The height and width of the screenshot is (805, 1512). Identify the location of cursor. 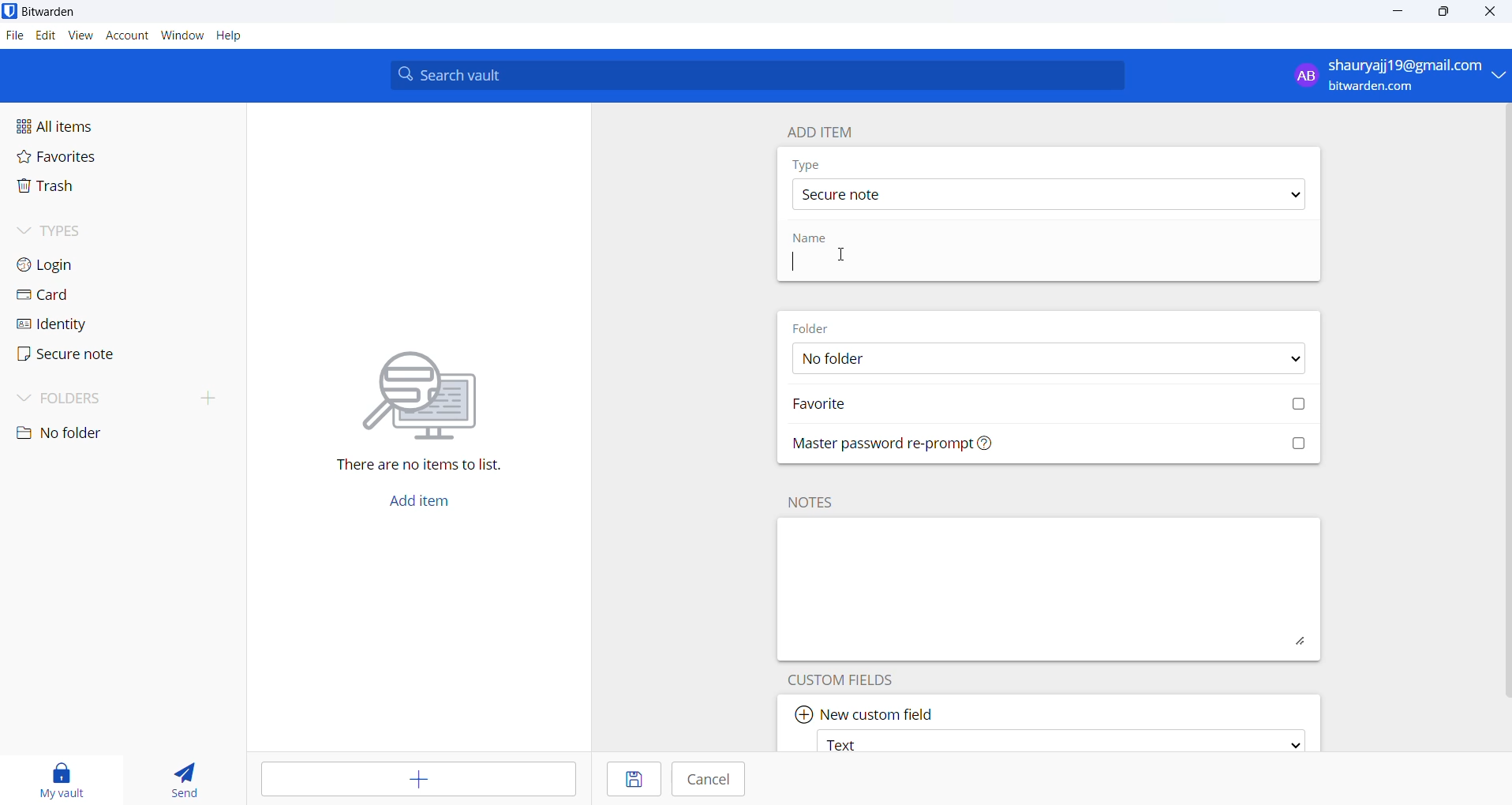
(839, 253).